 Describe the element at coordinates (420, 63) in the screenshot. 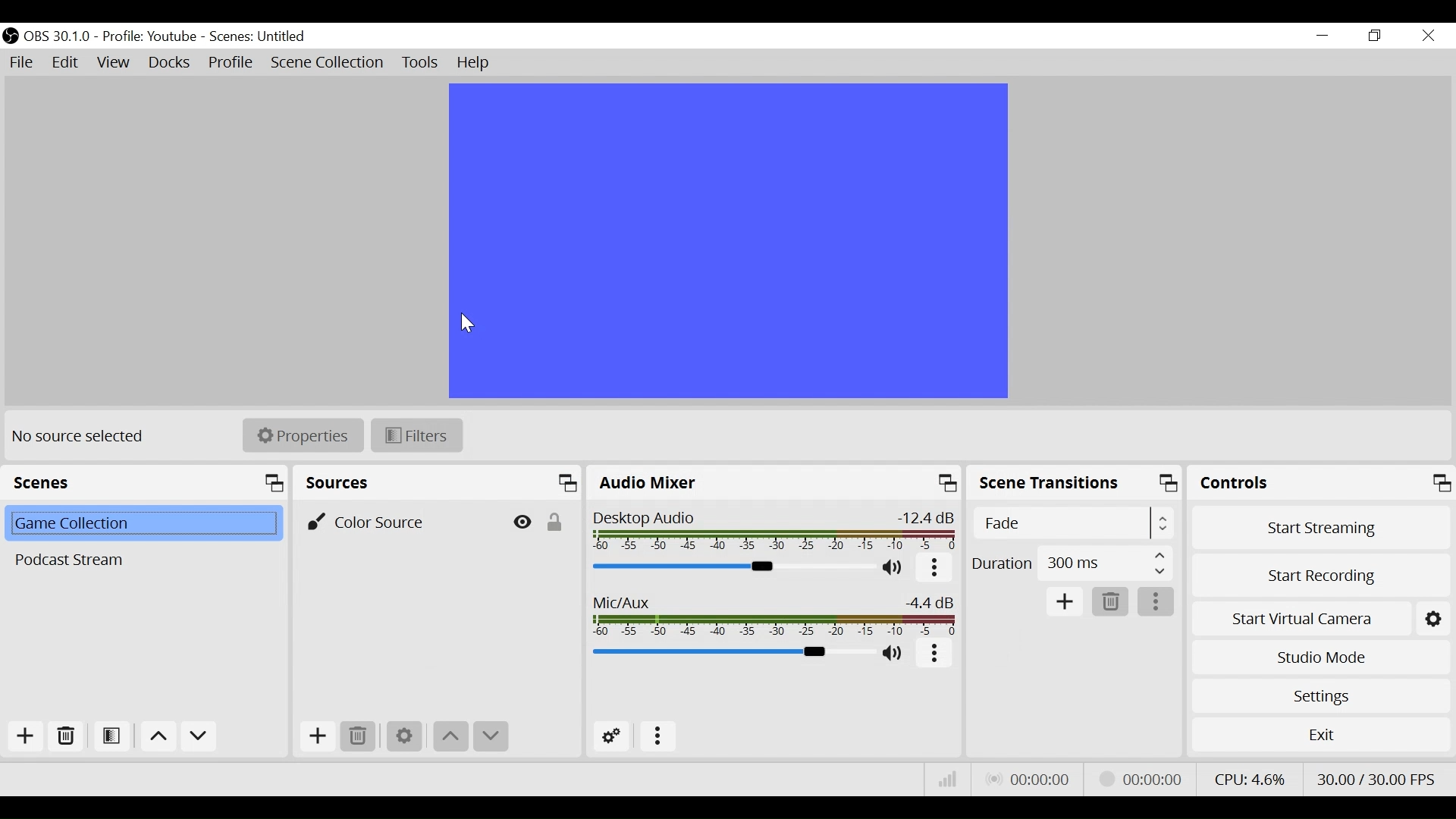

I see `Tools` at that location.